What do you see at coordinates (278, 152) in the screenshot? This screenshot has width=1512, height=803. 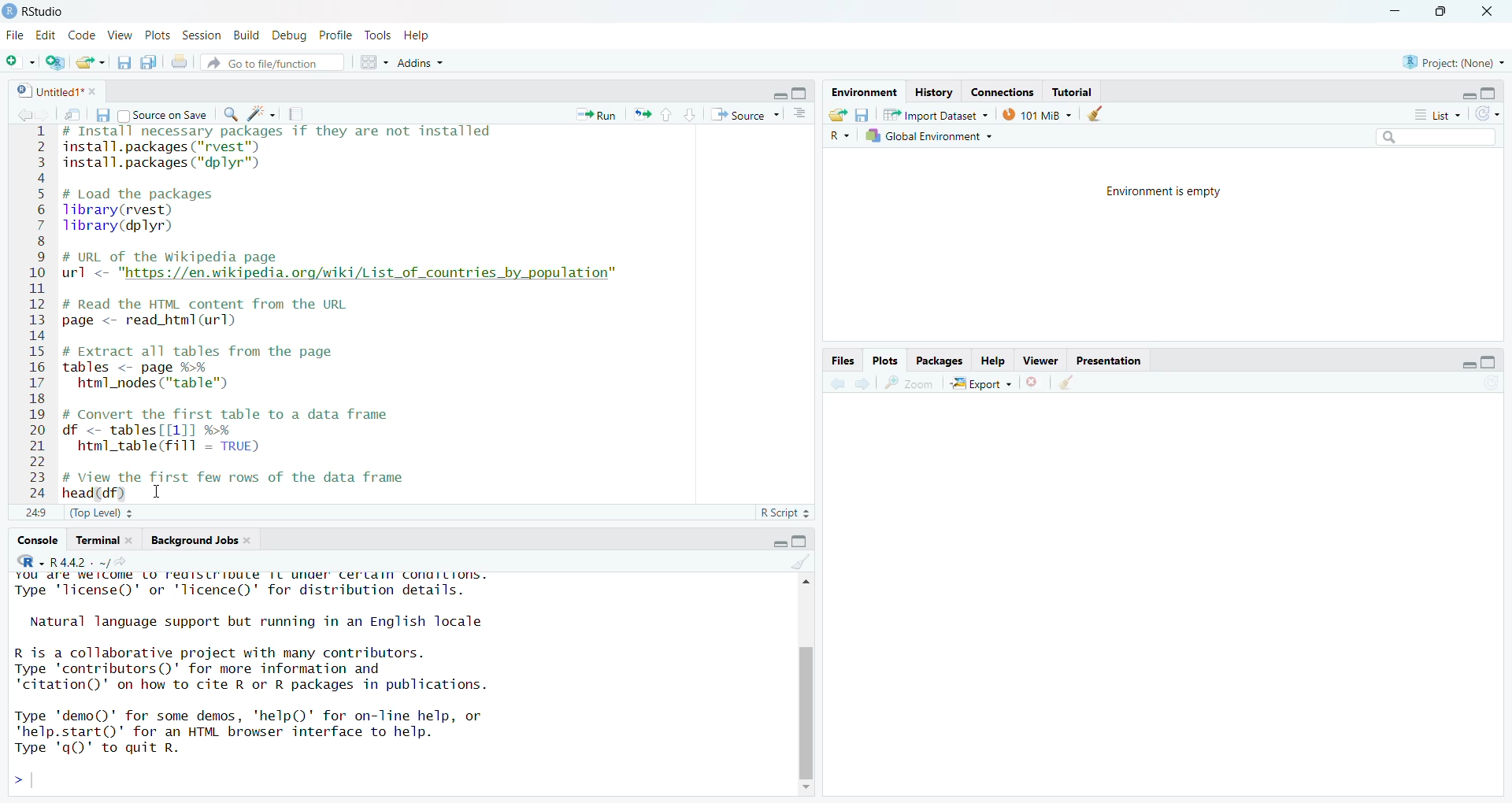 I see ` install necessary packages if they are not installed install.packages ("rvest") install.packages ("dplyr")` at bounding box center [278, 152].